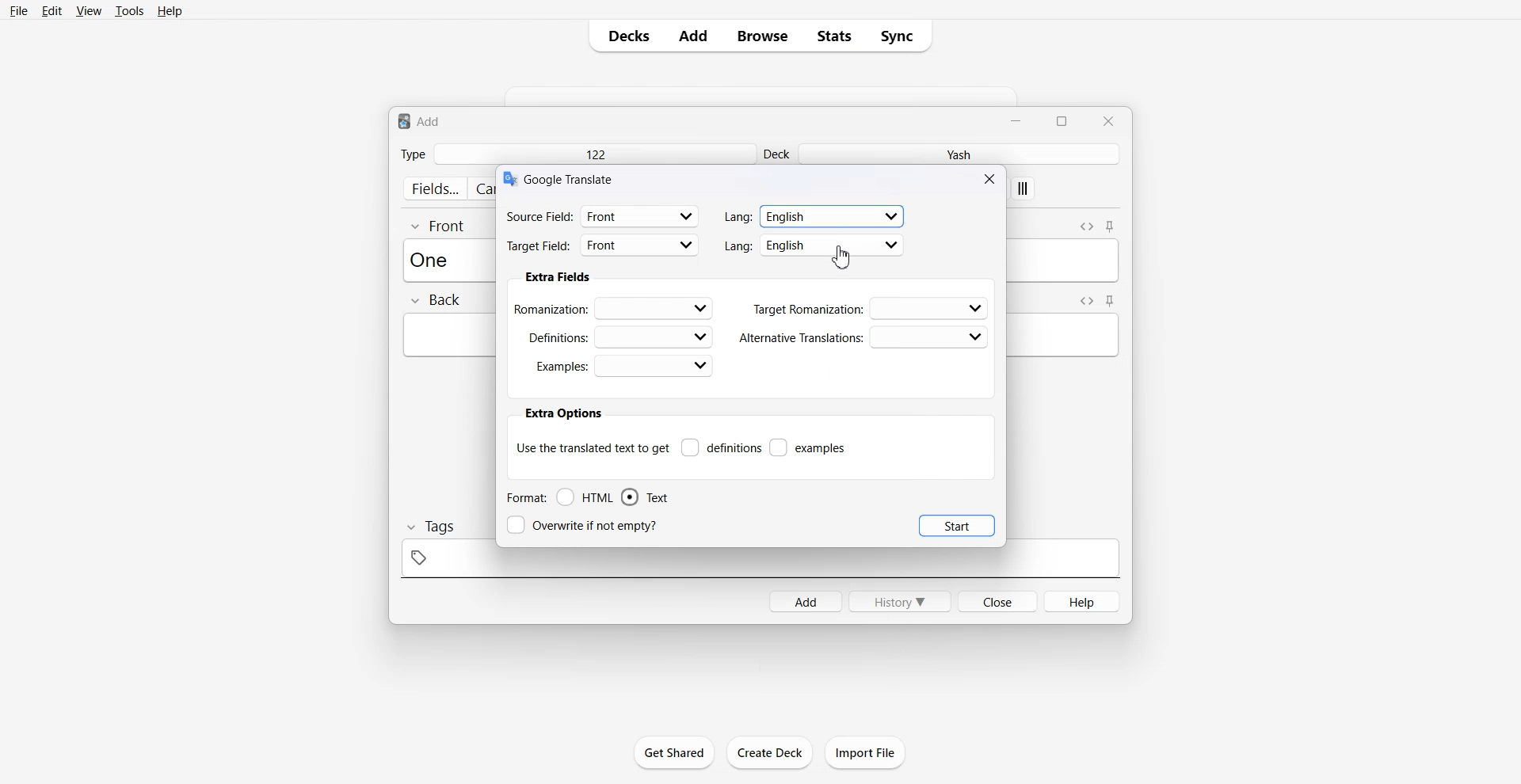 The width and height of the screenshot is (1521, 784). Describe the element at coordinates (769, 752) in the screenshot. I see `Create Deck` at that location.